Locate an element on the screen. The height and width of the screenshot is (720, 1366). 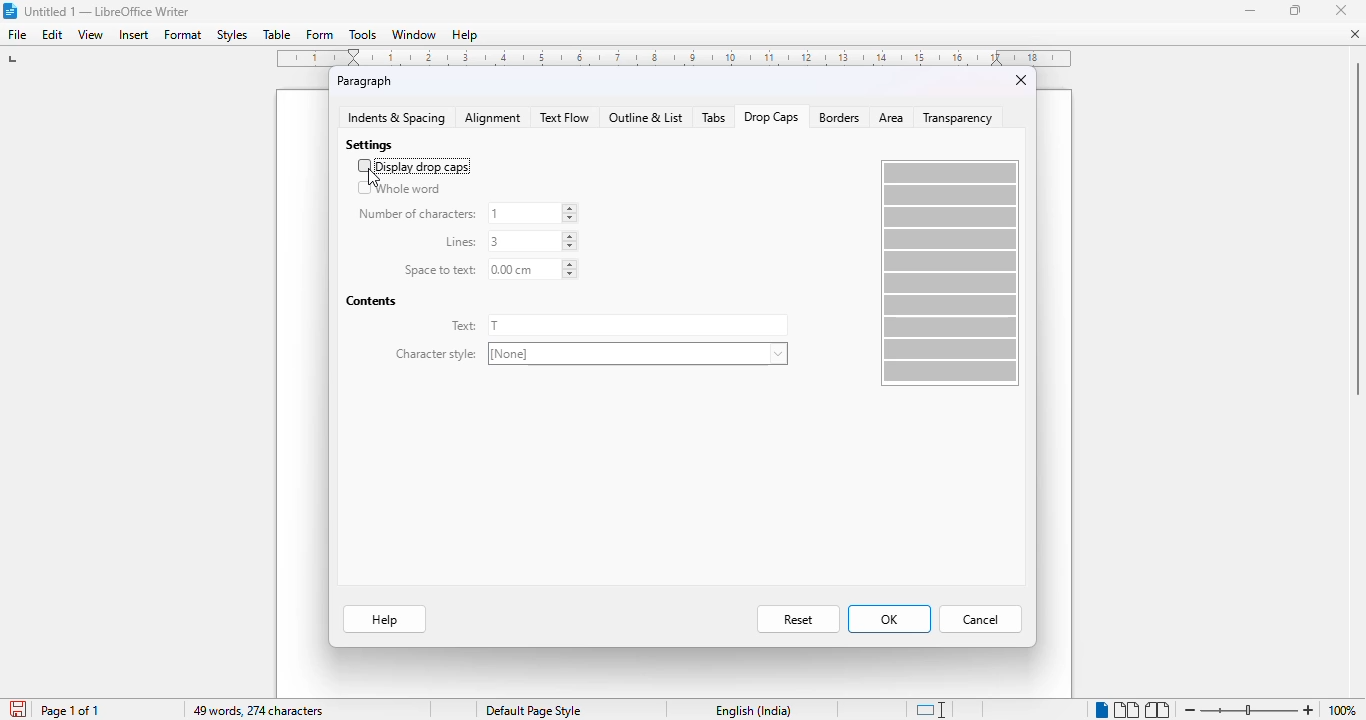
display drop caps is located at coordinates (412, 165).